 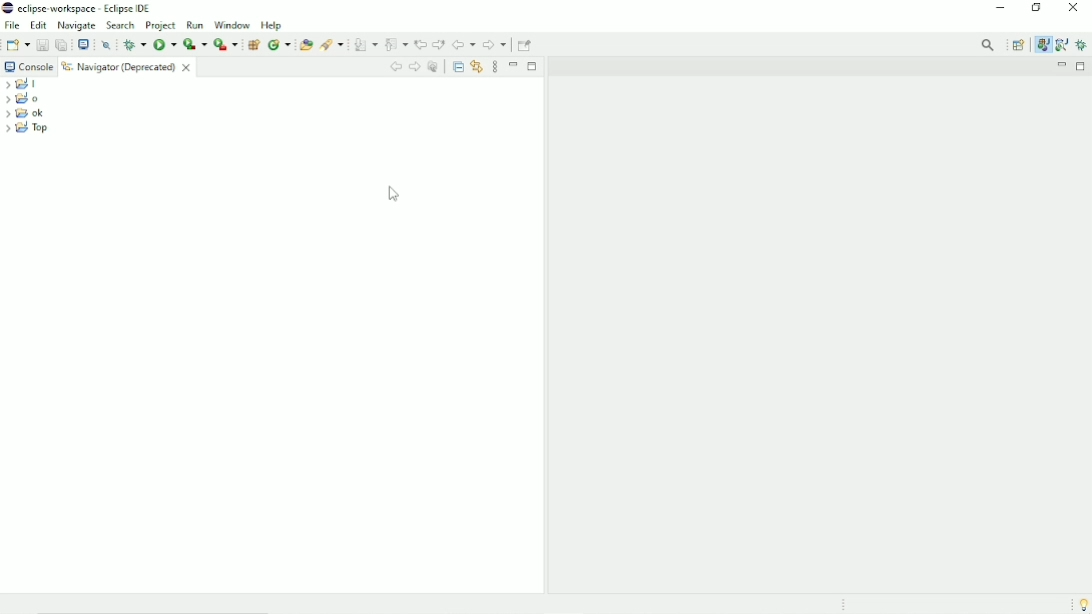 What do you see at coordinates (12, 25) in the screenshot?
I see `File` at bounding box center [12, 25].